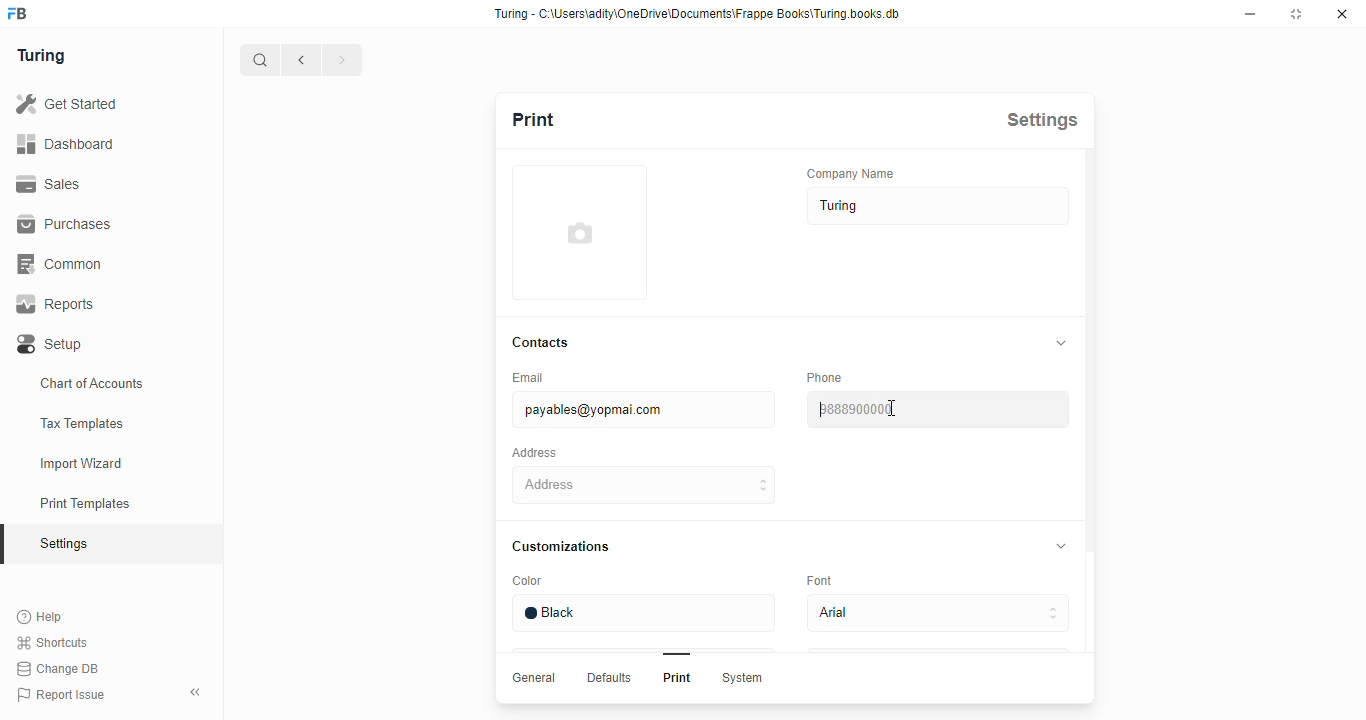 Image resolution: width=1366 pixels, height=720 pixels. Describe the element at coordinates (1253, 13) in the screenshot. I see `minimise` at that location.